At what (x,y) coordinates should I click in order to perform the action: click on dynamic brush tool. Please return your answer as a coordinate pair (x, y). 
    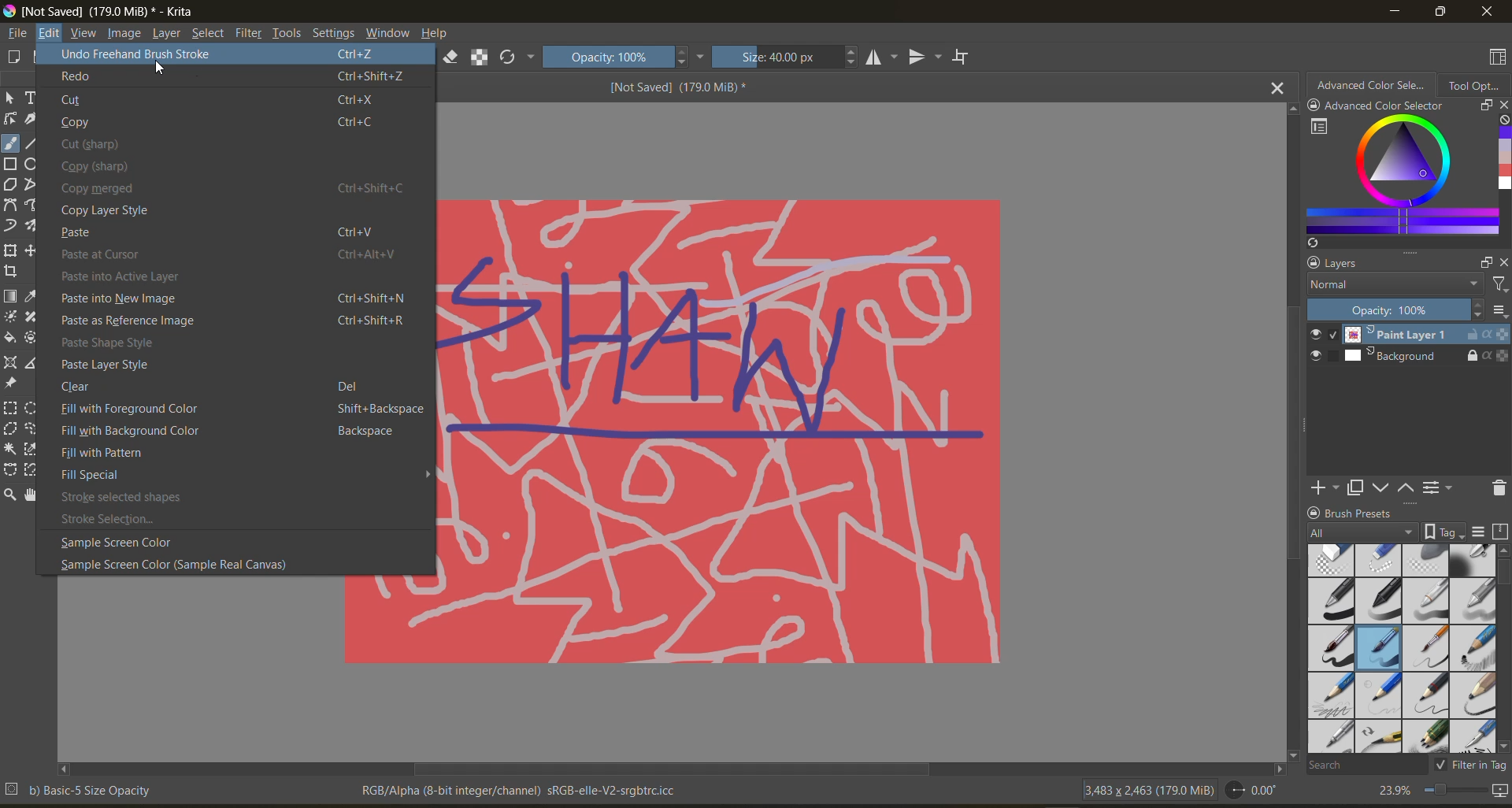
    Looking at the image, I should click on (11, 226).